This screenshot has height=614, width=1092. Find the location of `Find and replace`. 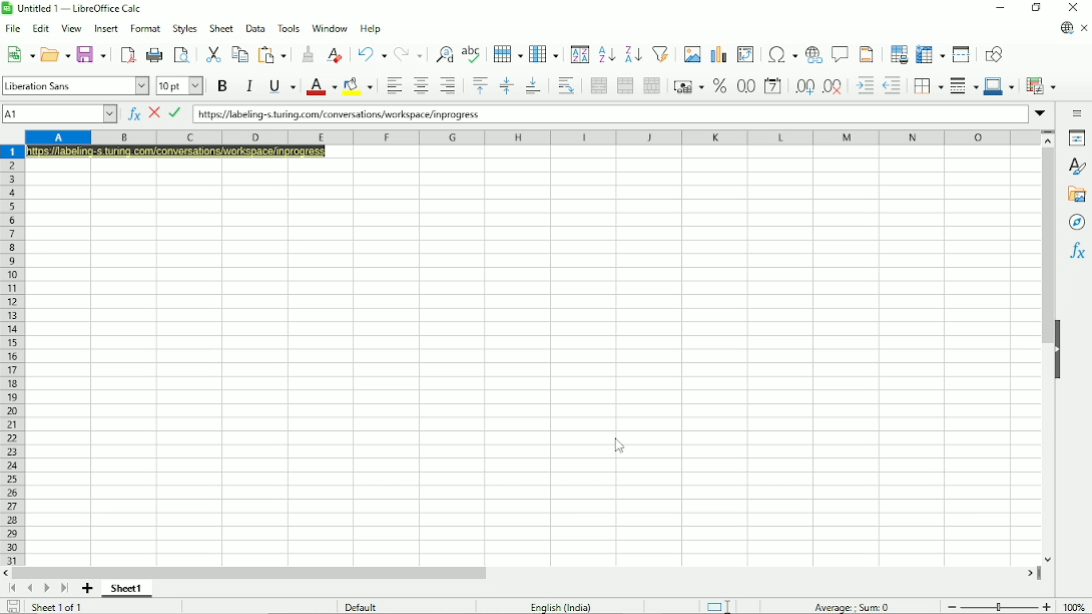

Find and replace is located at coordinates (443, 51).